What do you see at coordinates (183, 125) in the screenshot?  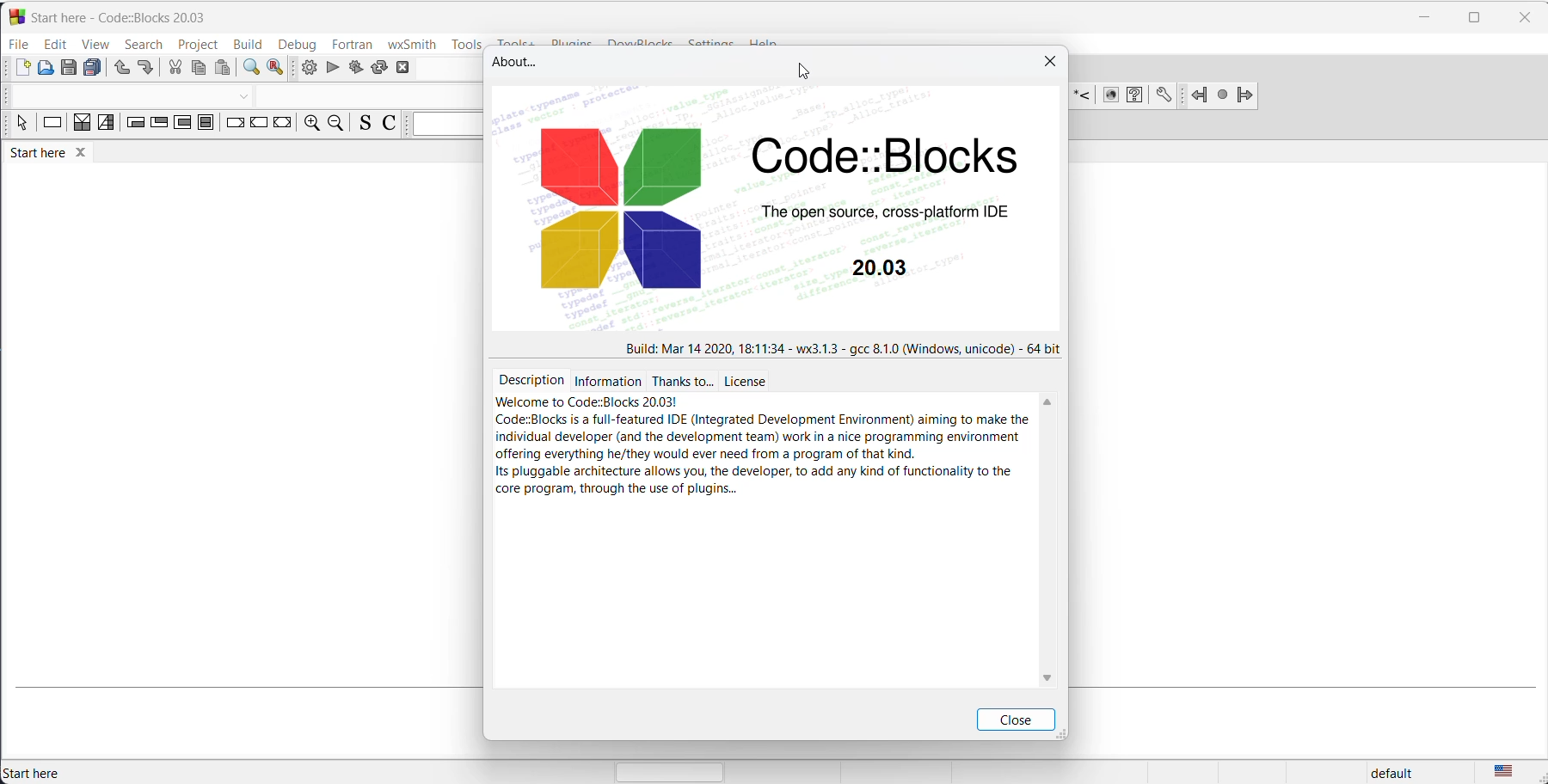 I see `counting loop` at bounding box center [183, 125].